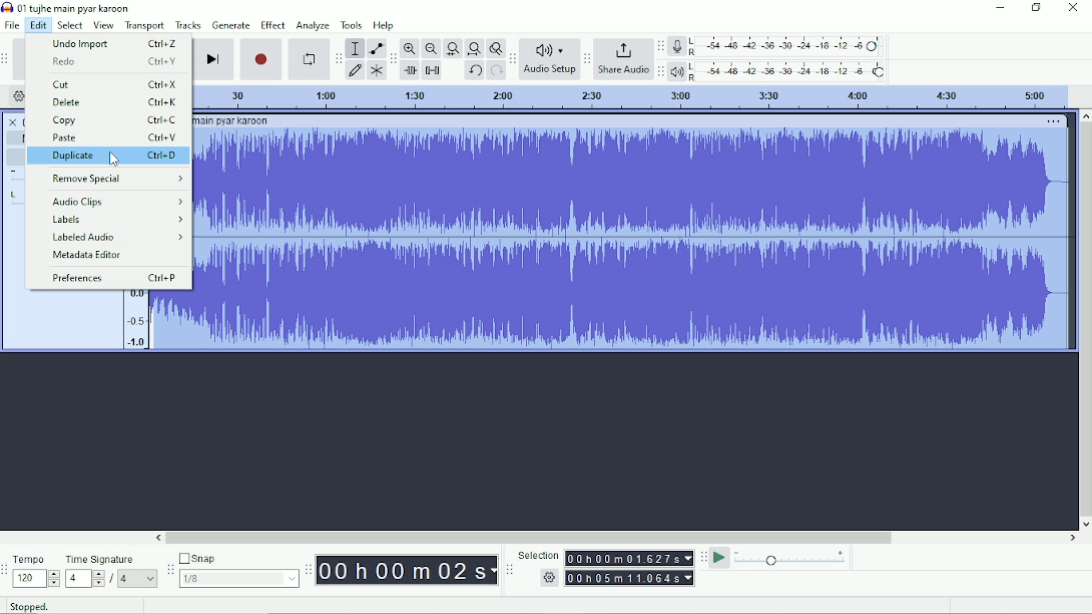 The image size is (1092, 614). I want to click on Snap, so click(238, 557).